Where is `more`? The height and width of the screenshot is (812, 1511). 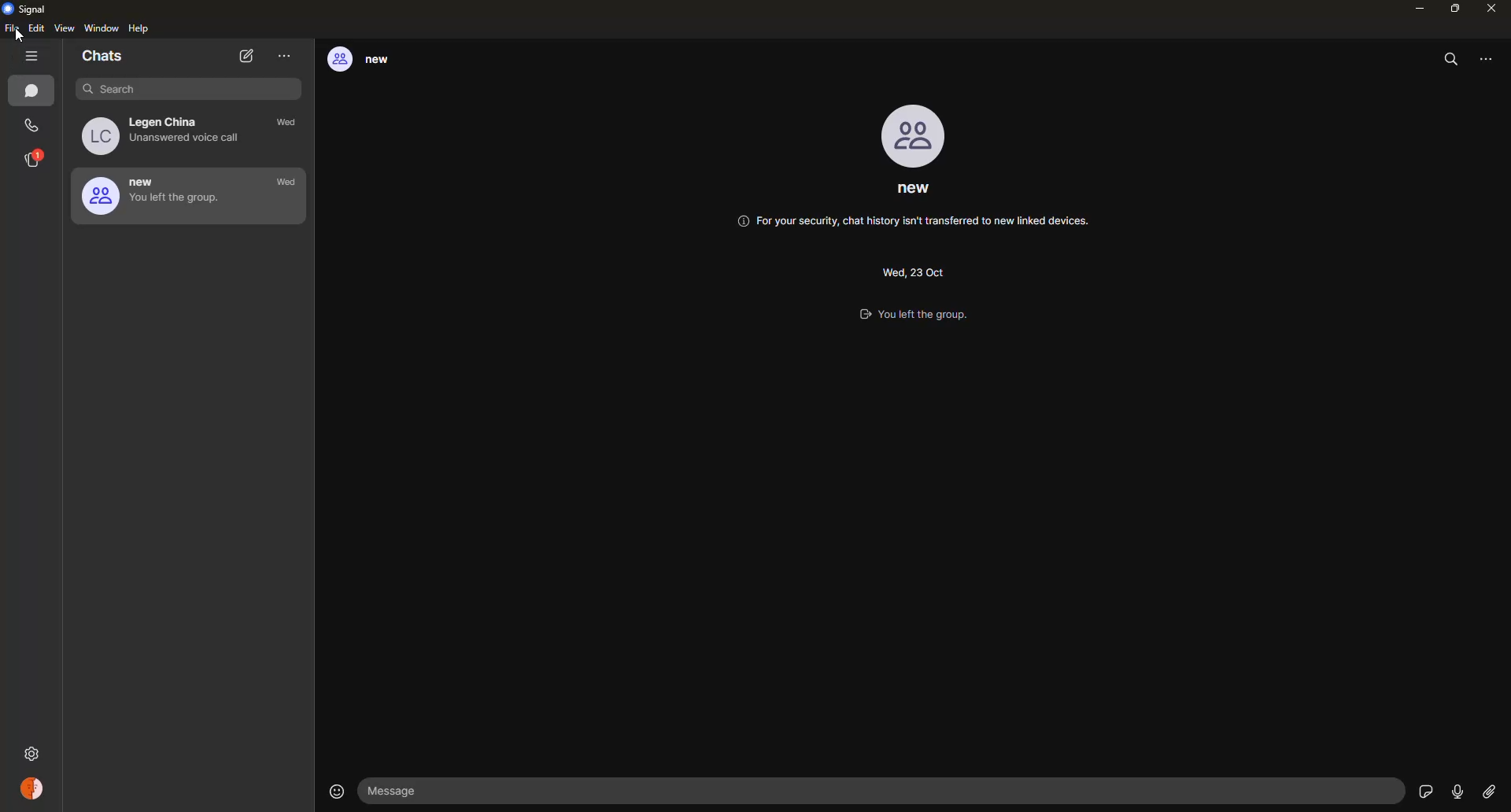
more is located at coordinates (1491, 58).